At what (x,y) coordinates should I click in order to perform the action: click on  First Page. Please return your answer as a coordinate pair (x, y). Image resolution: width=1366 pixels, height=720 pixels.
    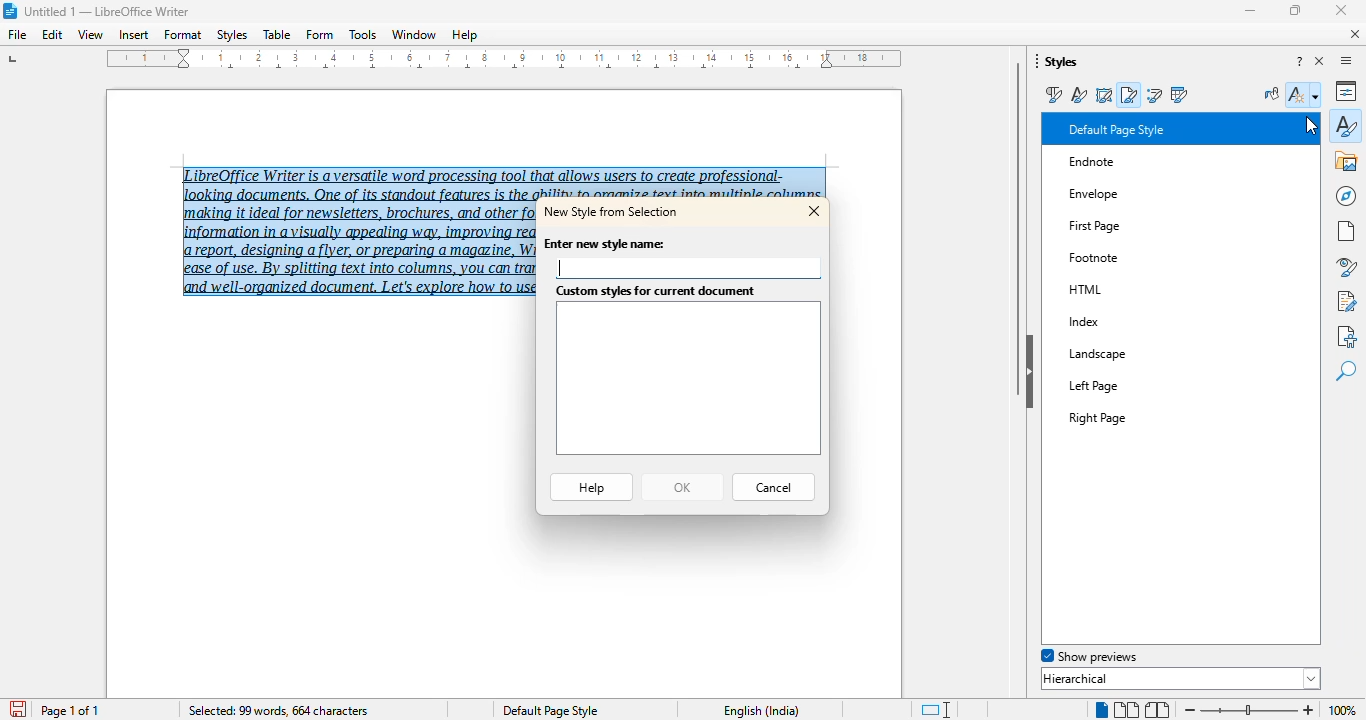
    Looking at the image, I should click on (1117, 221).